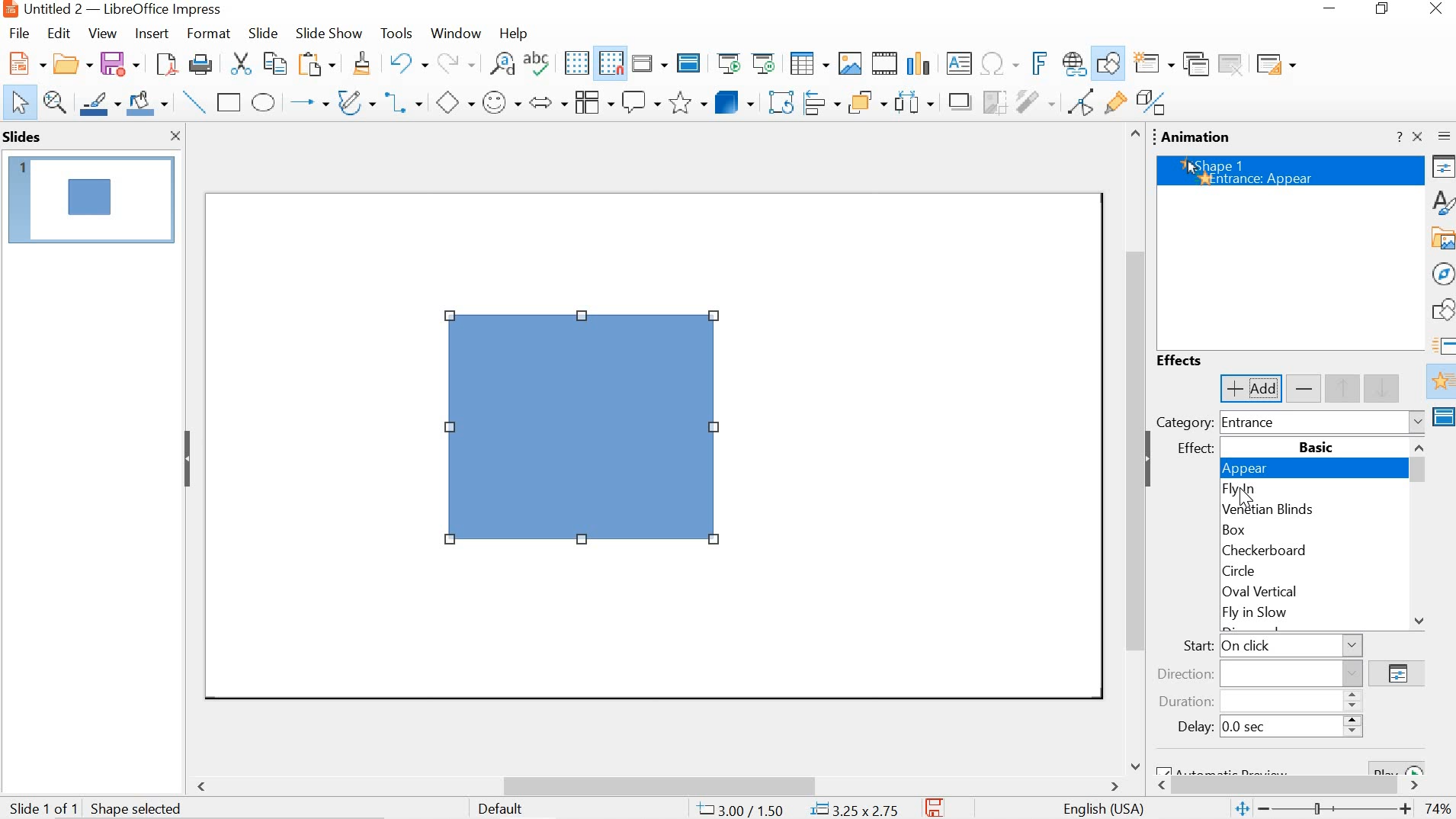 Image resolution: width=1456 pixels, height=819 pixels. Describe the element at coordinates (24, 137) in the screenshot. I see `slides` at that location.